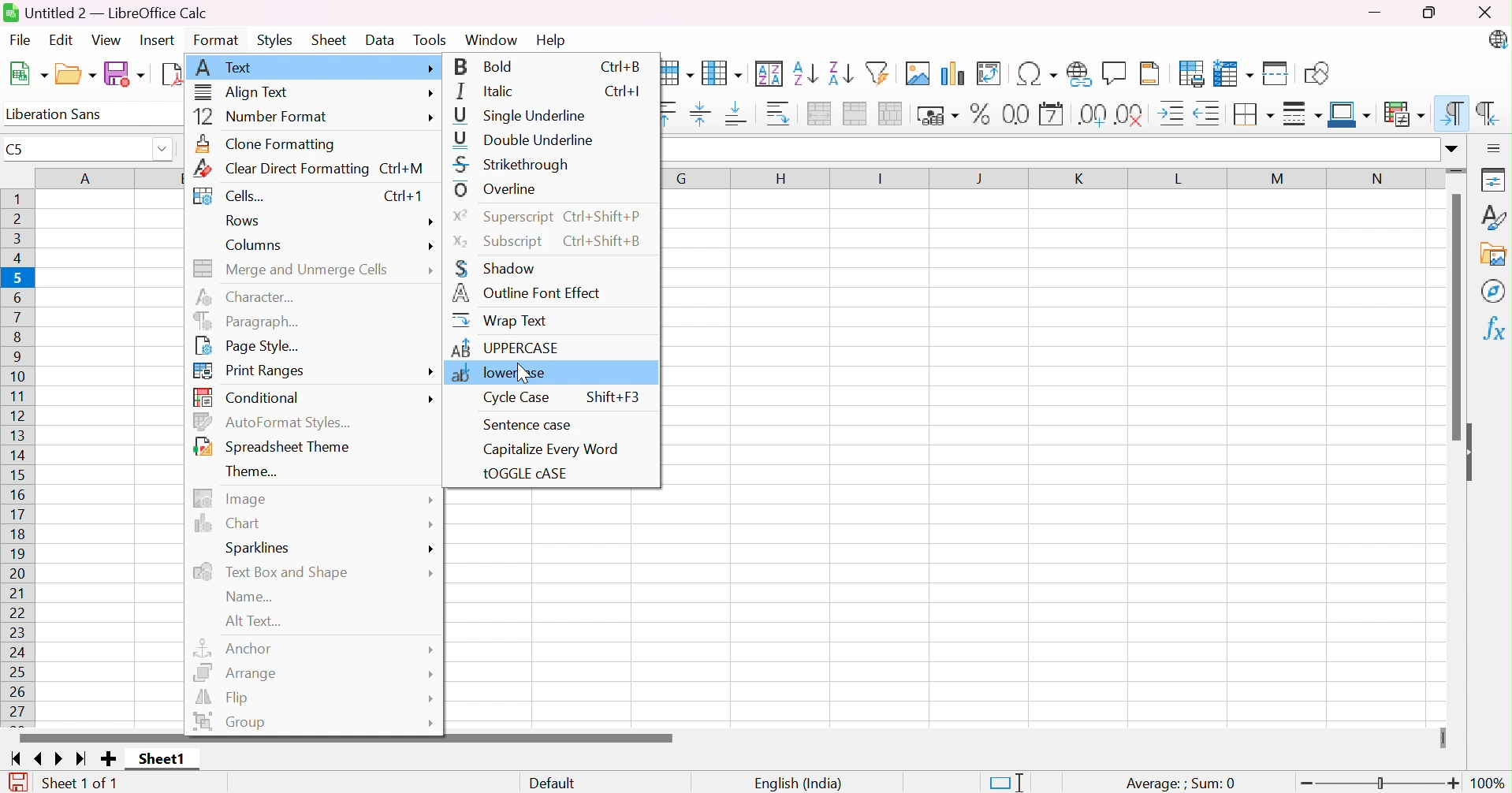 The height and width of the screenshot is (793, 1512). What do you see at coordinates (266, 117) in the screenshot?
I see `Number Format` at bounding box center [266, 117].